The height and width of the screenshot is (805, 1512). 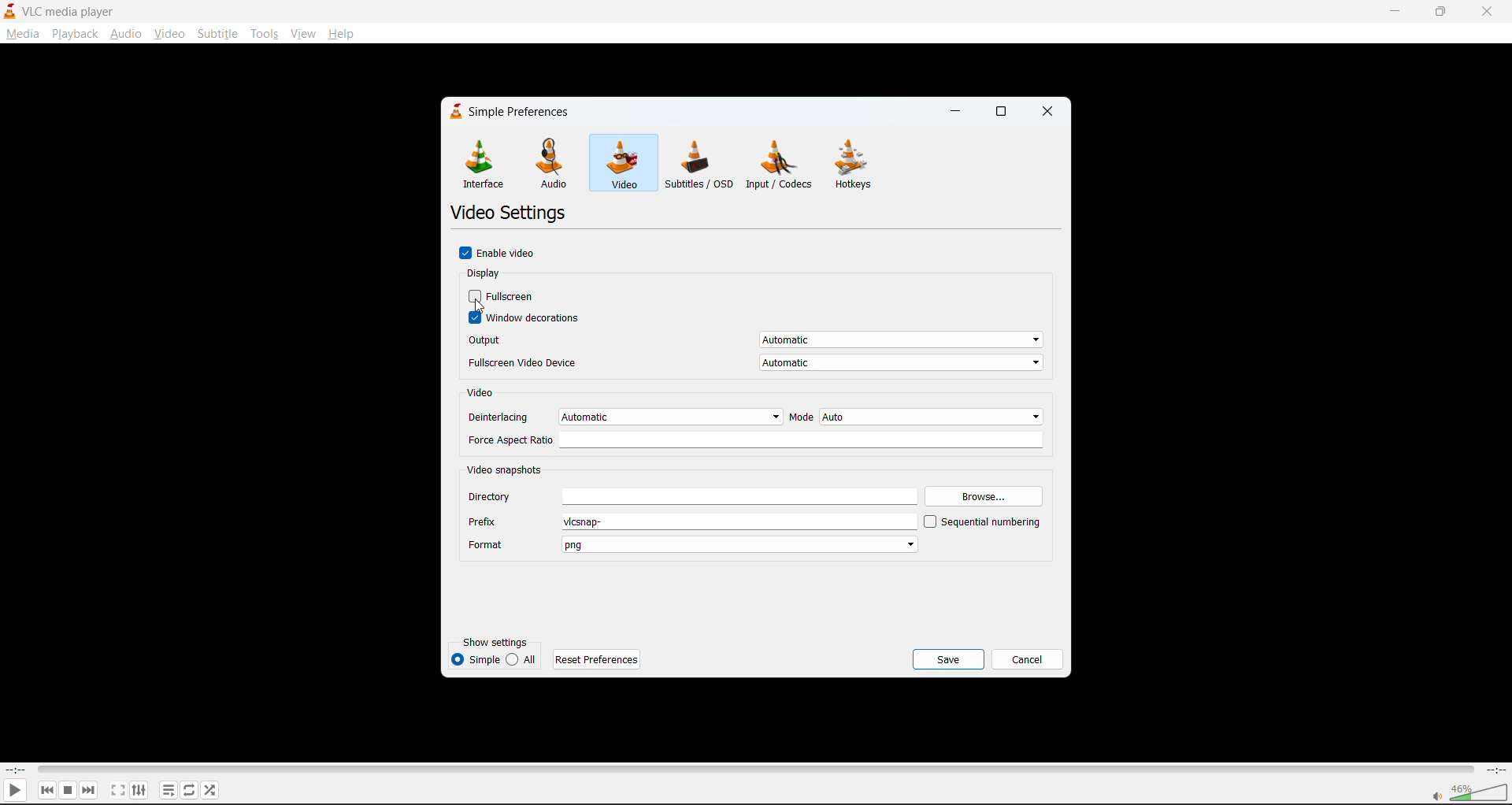 What do you see at coordinates (506, 470) in the screenshot?
I see `video snapshots` at bounding box center [506, 470].